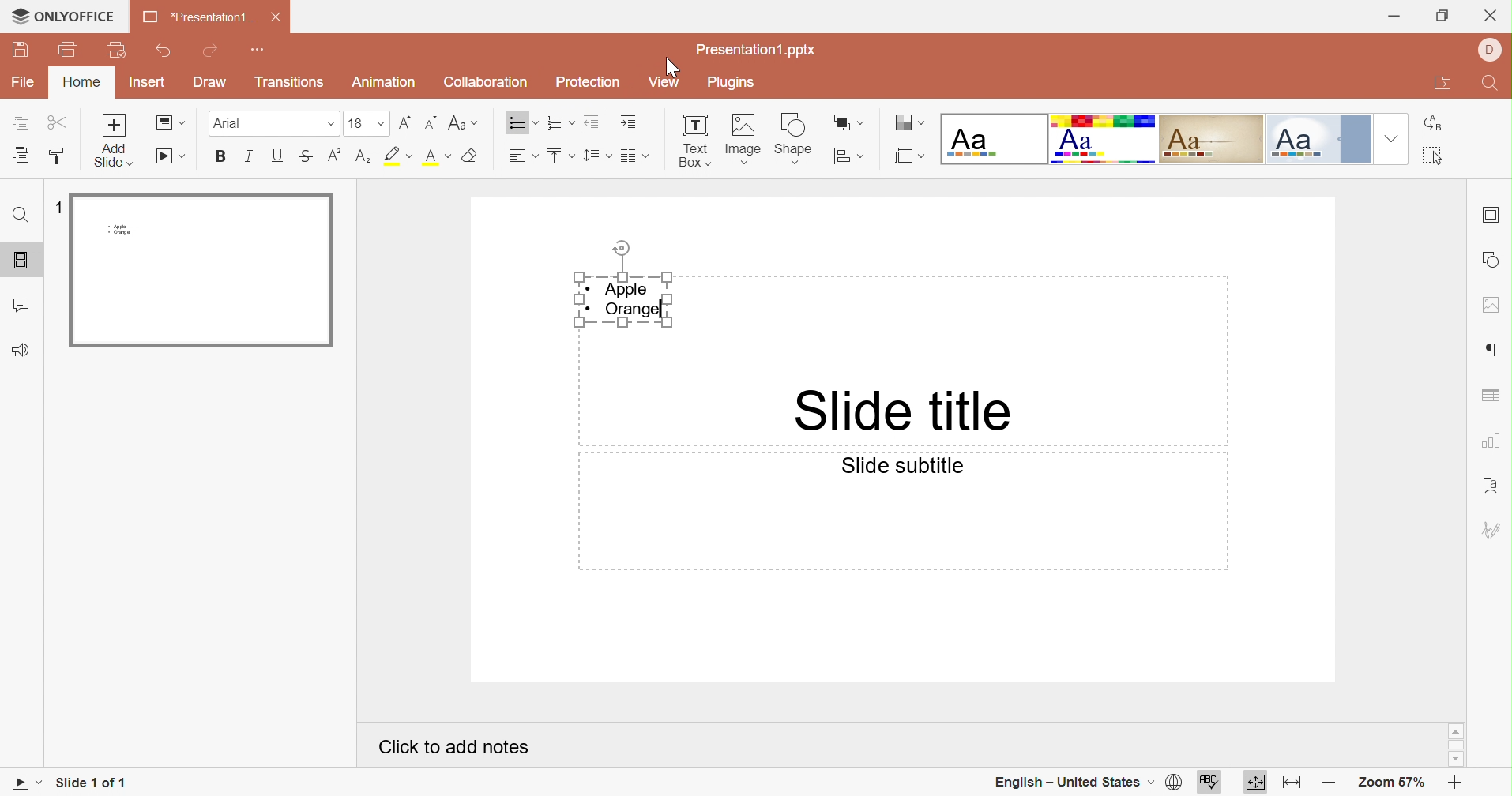 The height and width of the screenshot is (796, 1512). Describe the element at coordinates (851, 157) in the screenshot. I see `Align shape` at that location.